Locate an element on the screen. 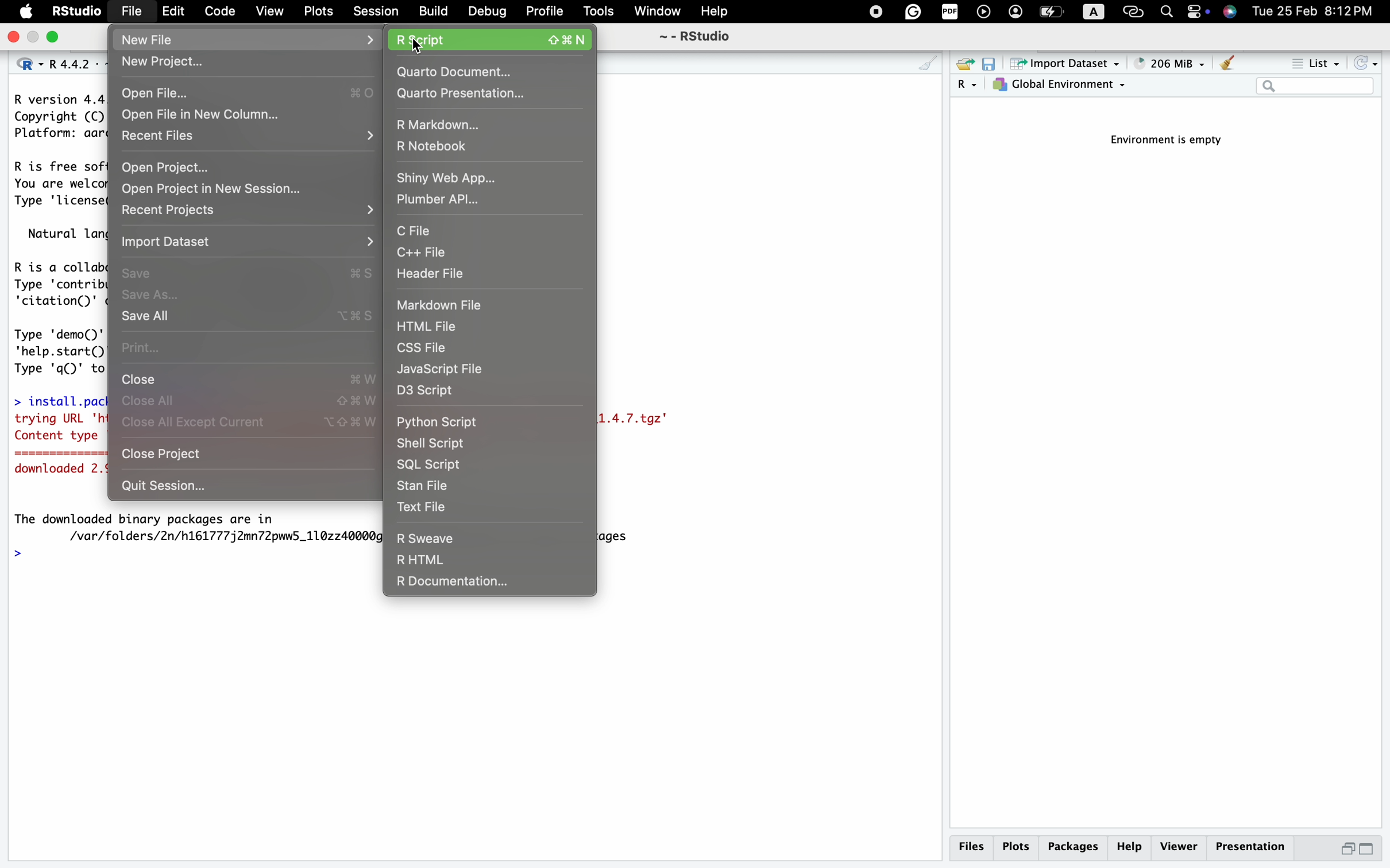 Image resolution: width=1390 pixels, height=868 pixels. build is located at coordinates (433, 11).